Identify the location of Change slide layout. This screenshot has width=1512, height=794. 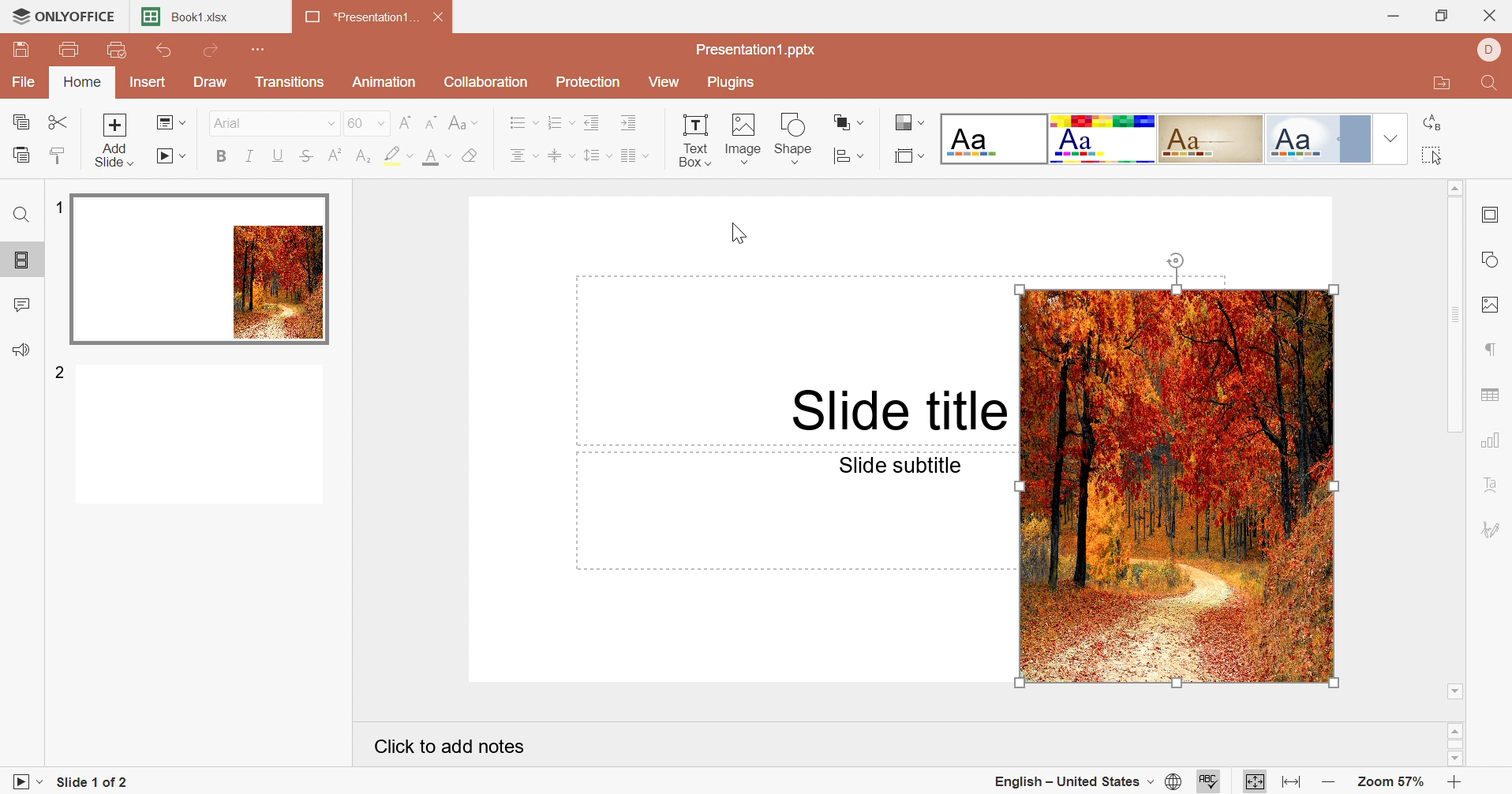
(173, 124).